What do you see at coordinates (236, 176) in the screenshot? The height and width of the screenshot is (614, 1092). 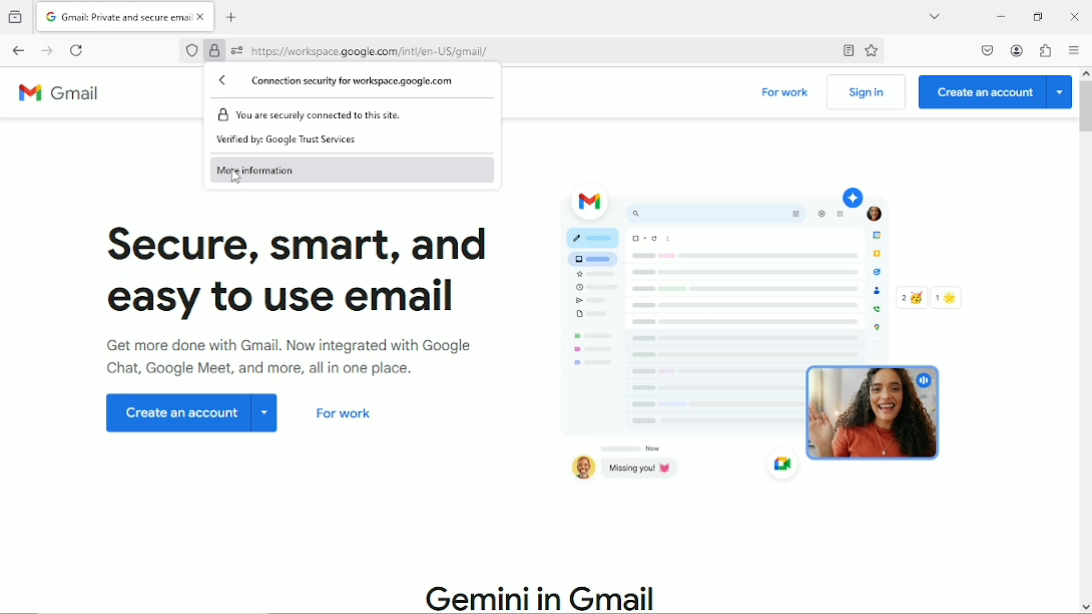 I see `cursor` at bounding box center [236, 176].